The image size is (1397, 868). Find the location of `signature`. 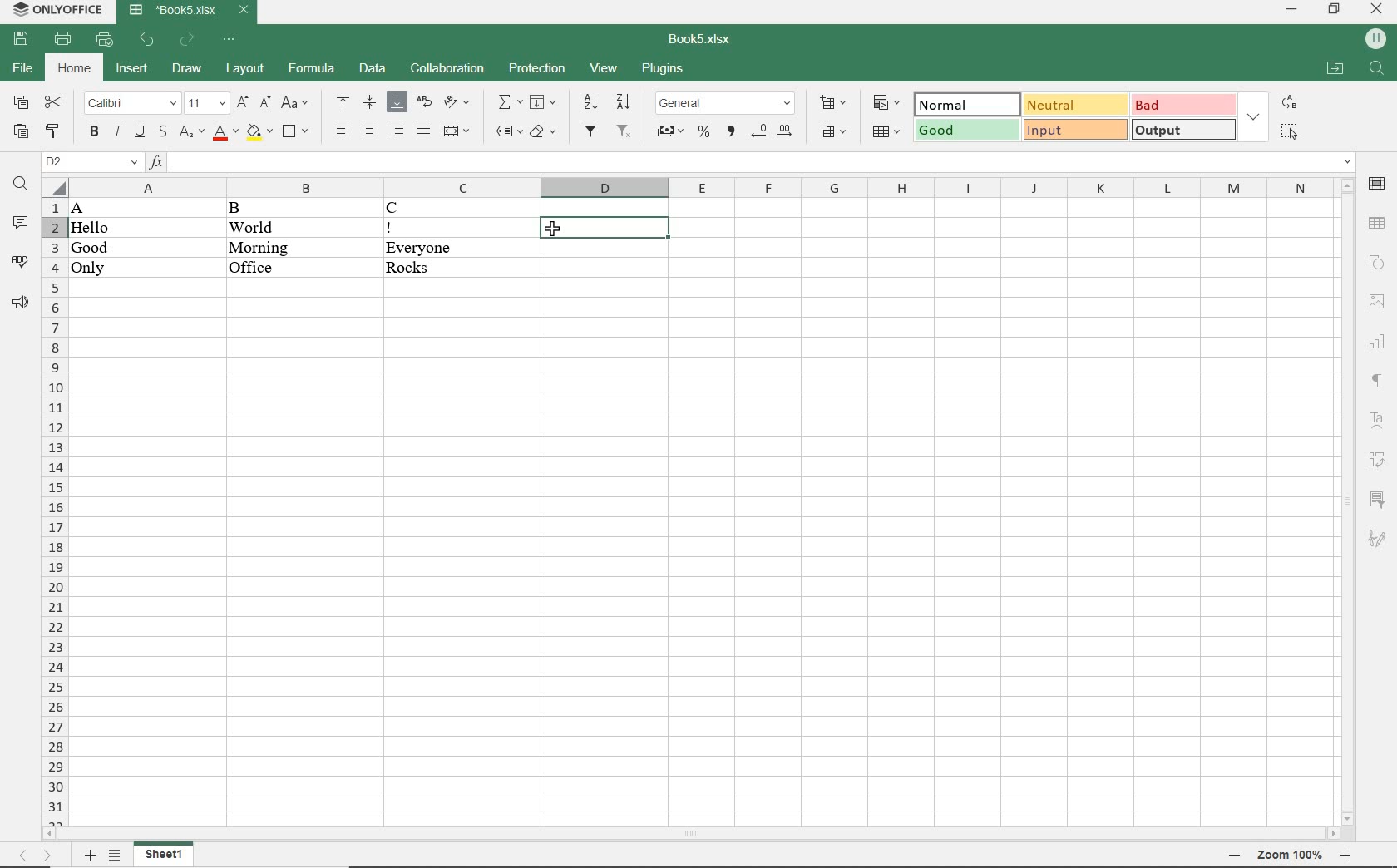

signature is located at coordinates (1379, 535).